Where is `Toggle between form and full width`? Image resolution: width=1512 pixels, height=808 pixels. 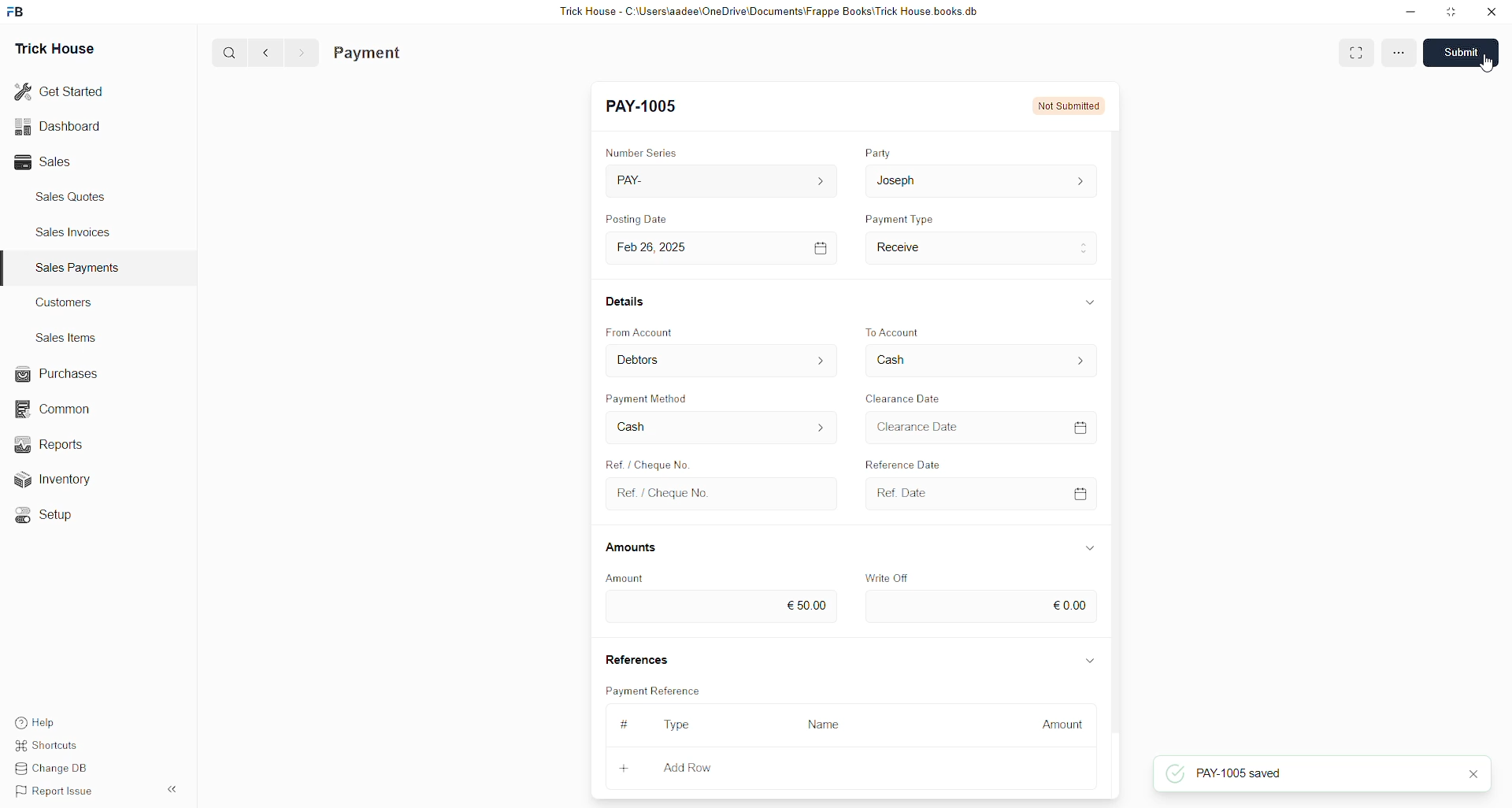
Toggle between form and full width is located at coordinates (1354, 54).